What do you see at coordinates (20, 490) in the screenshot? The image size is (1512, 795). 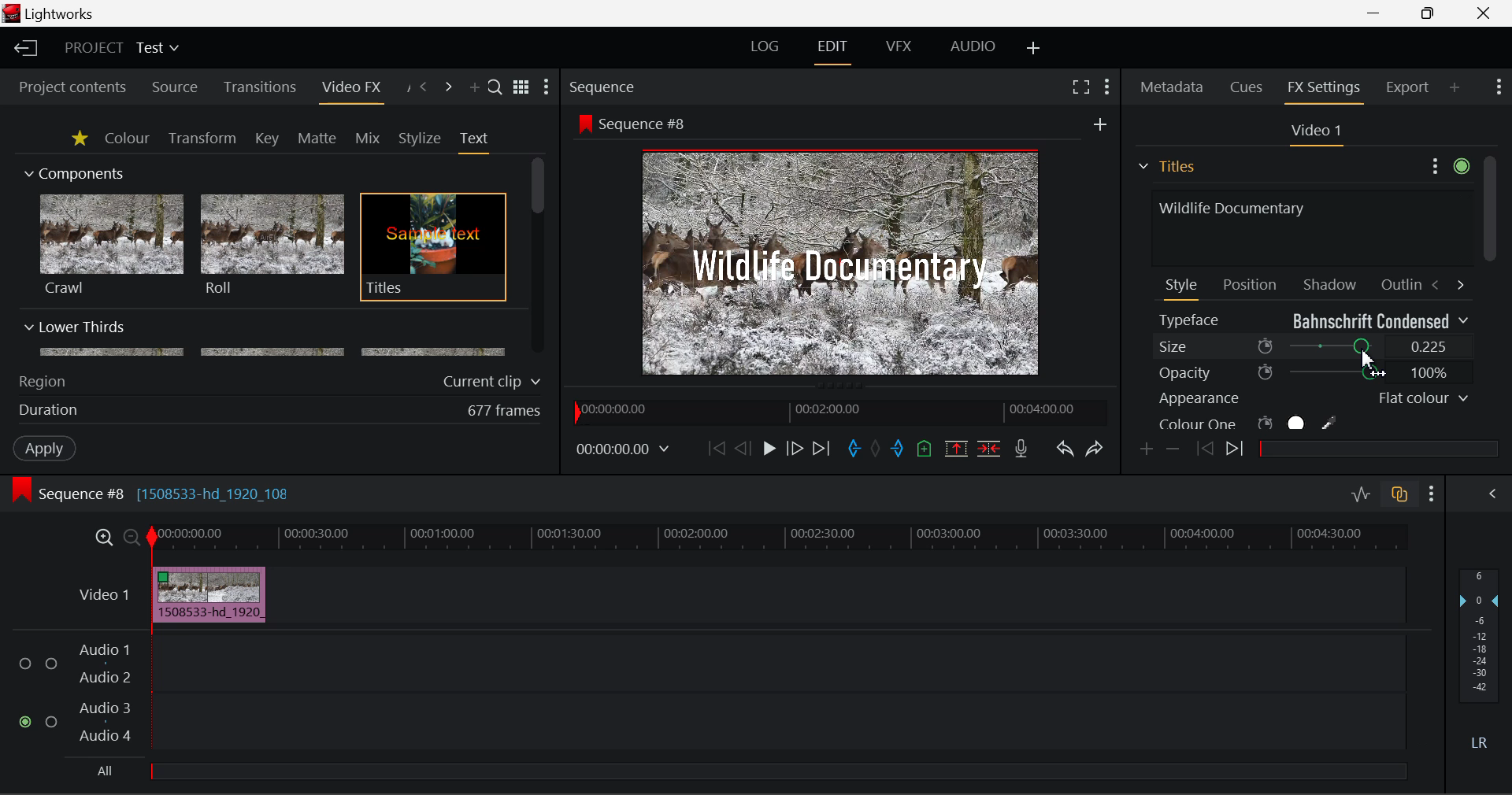 I see `icon` at bounding box center [20, 490].